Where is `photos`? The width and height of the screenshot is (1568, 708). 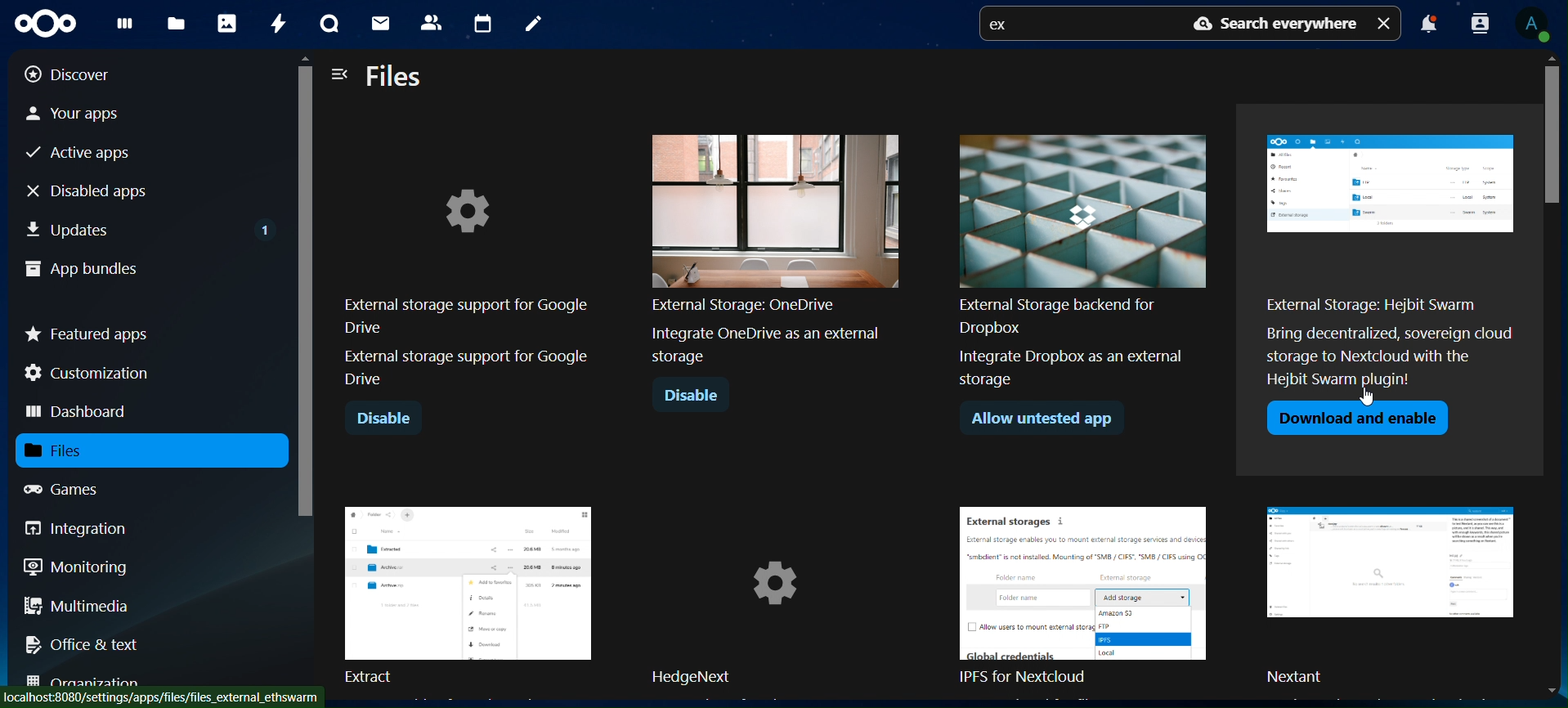
photos is located at coordinates (226, 22).